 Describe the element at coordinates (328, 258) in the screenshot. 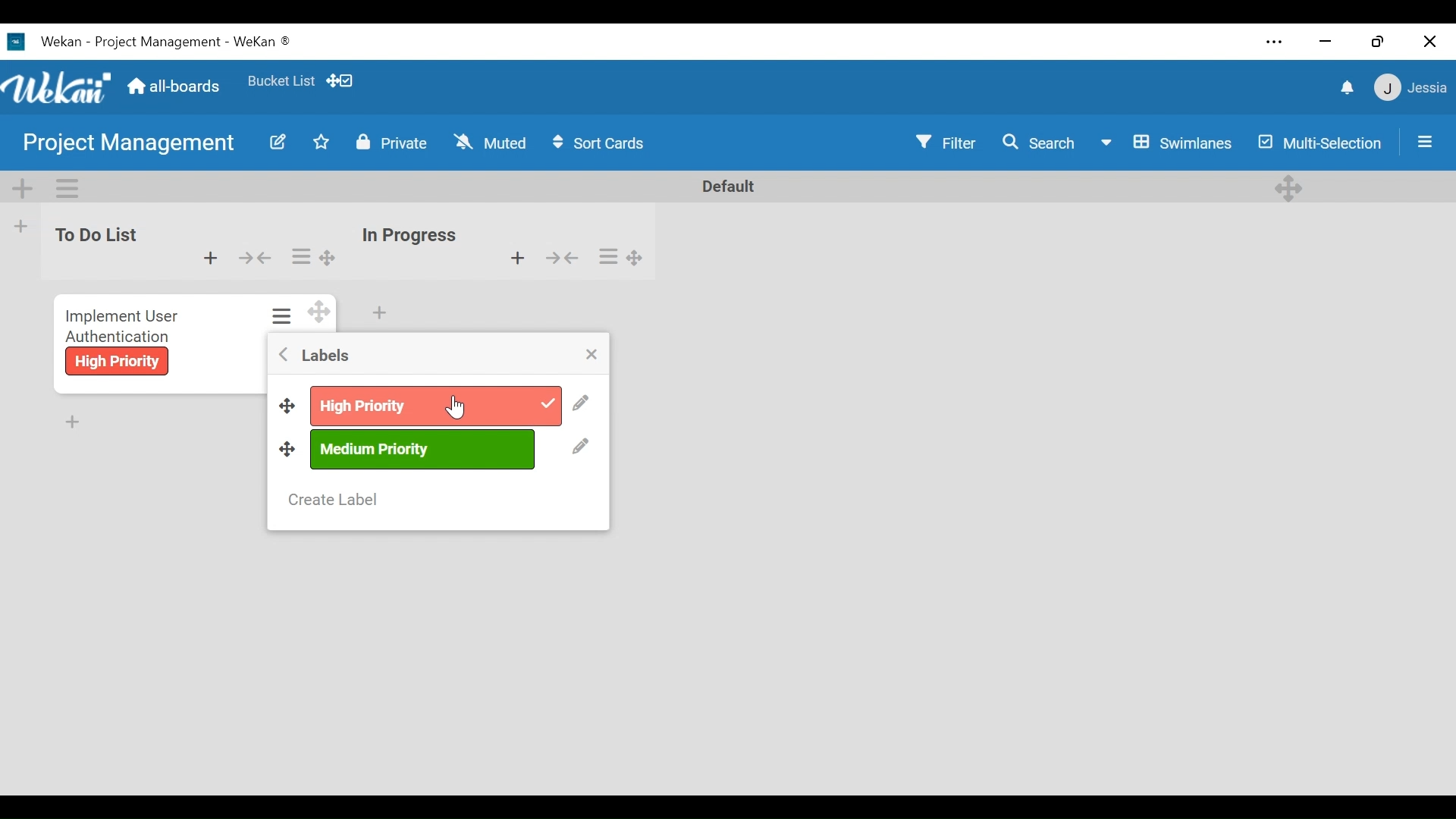

I see `desktop drag handles` at that location.